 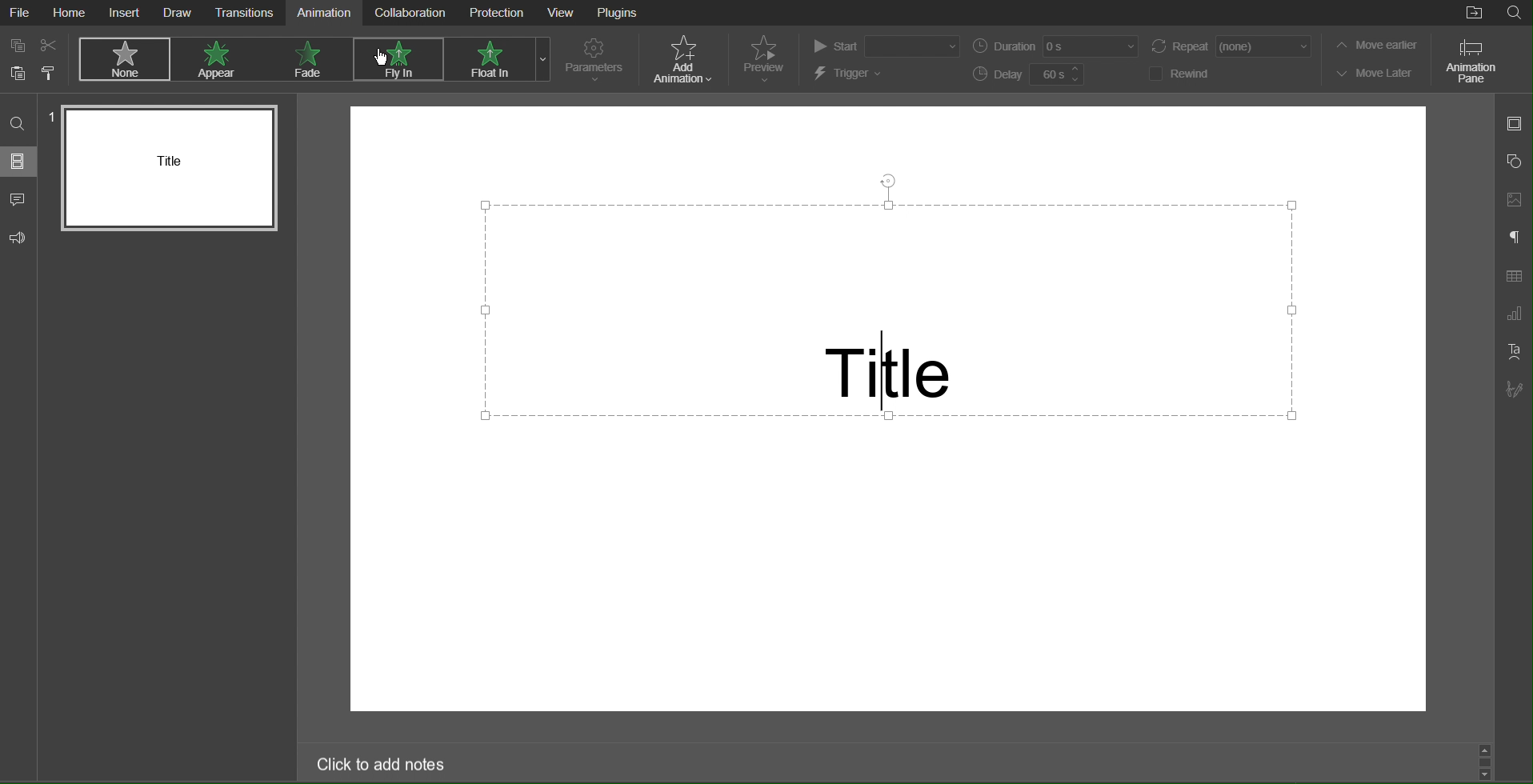 What do you see at coordinates (1227, 46) in the screenshot?
I see `Repeat` at bounding box center [1227, 46].